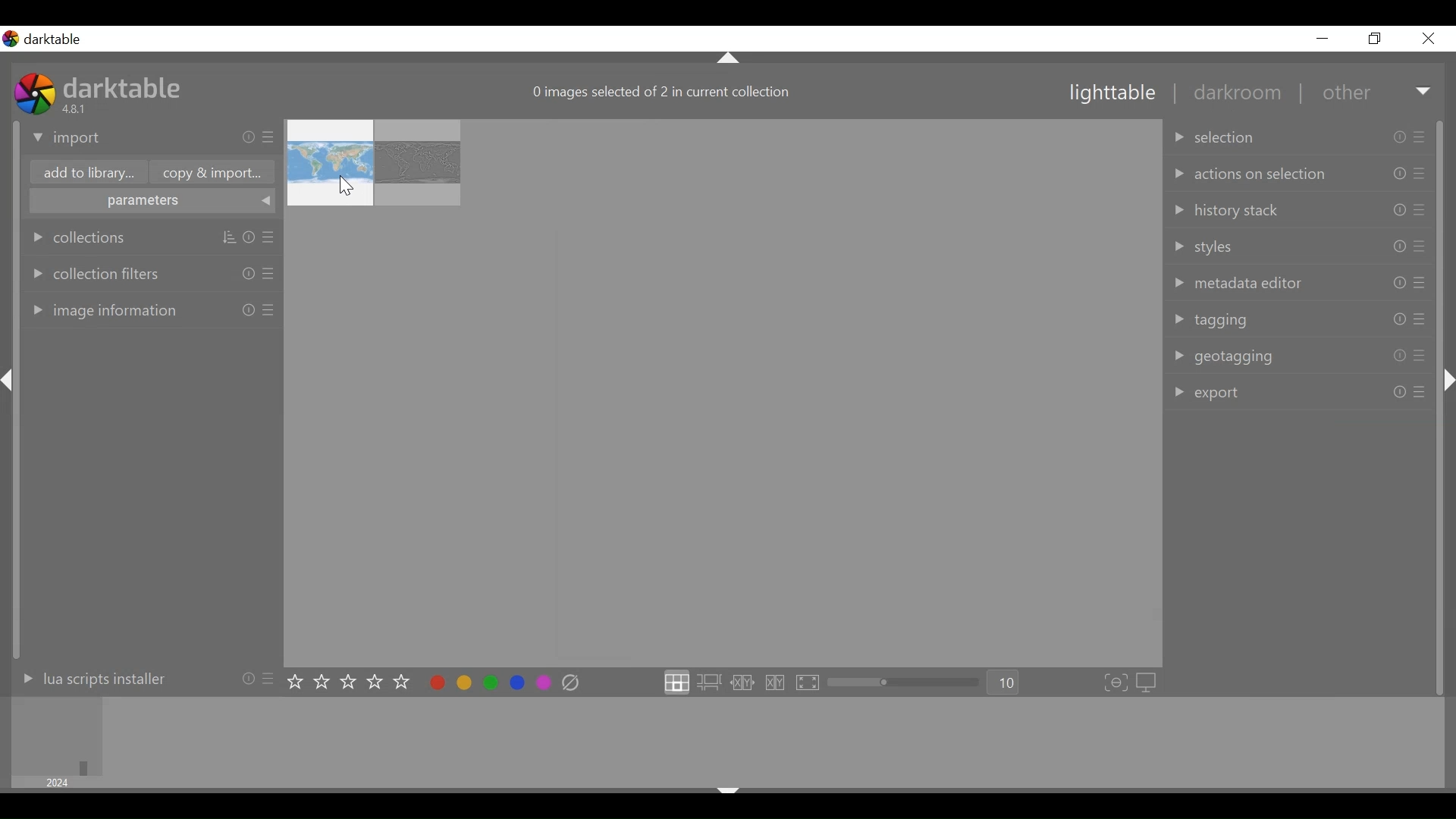 Image resolution: width=1456 pixels, height=819 pixels. What do you see at coordinates (59, 783) in the screenshot?
I see `2024` at bounding box center [59, 783].